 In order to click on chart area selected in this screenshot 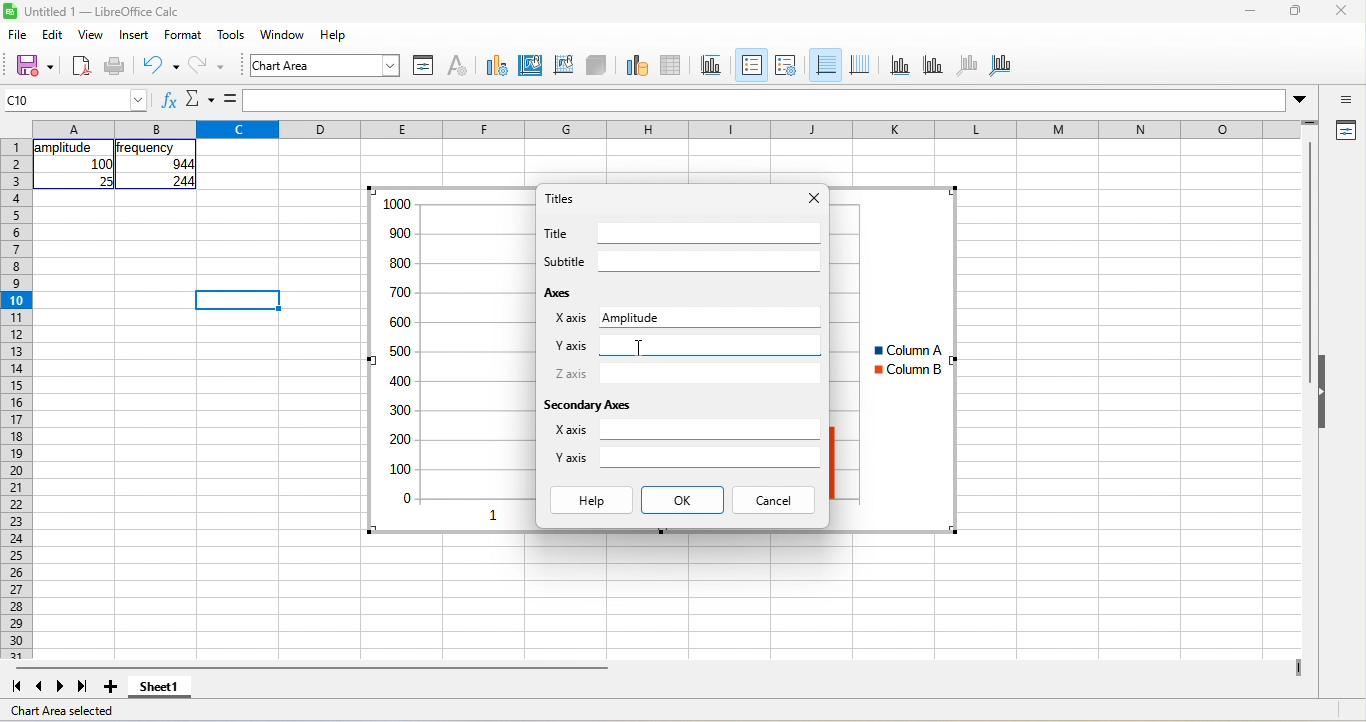, I will do `click(62, 711)`.